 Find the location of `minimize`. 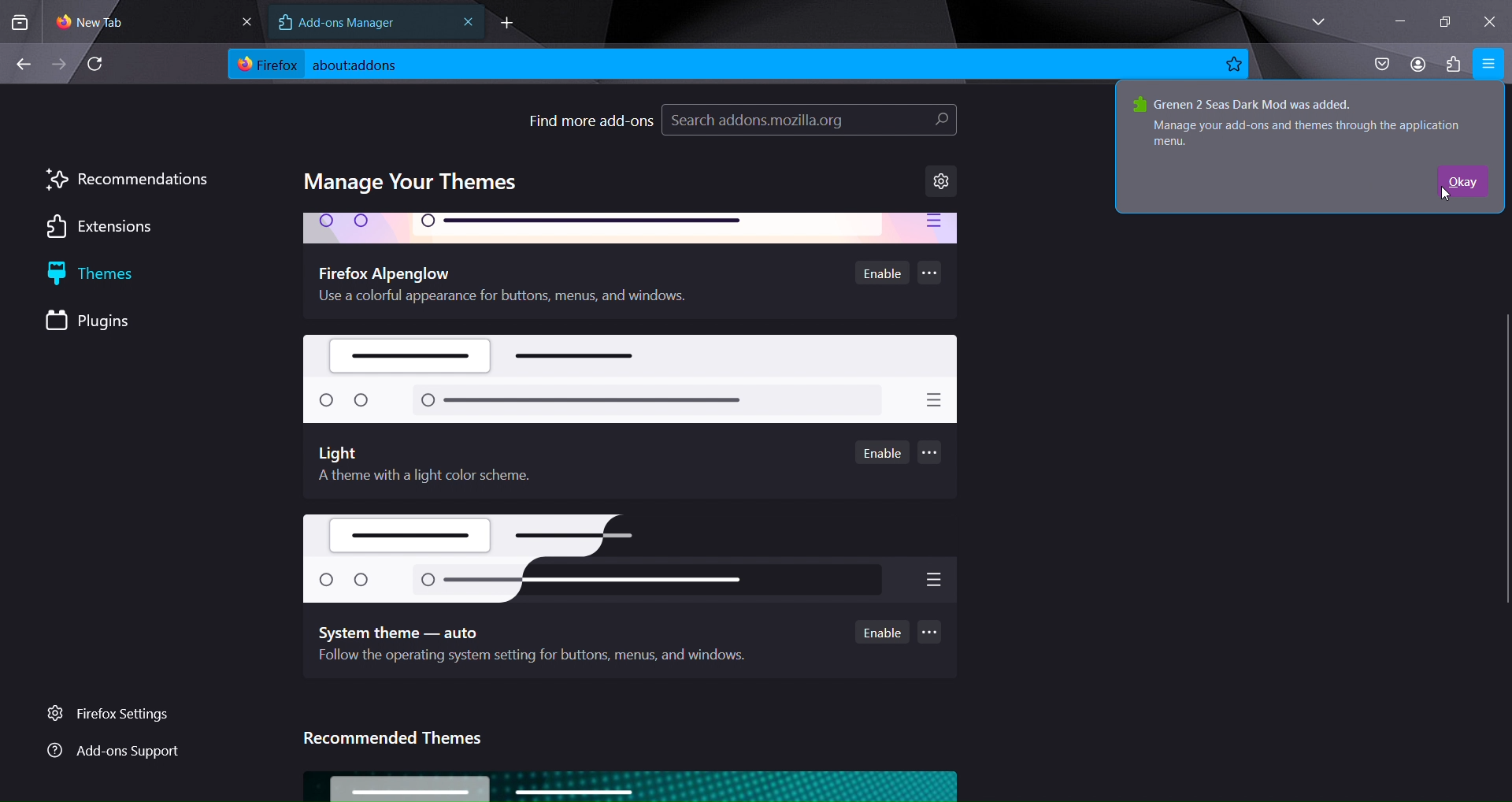

minimize is located at coordinates (1395, 22).